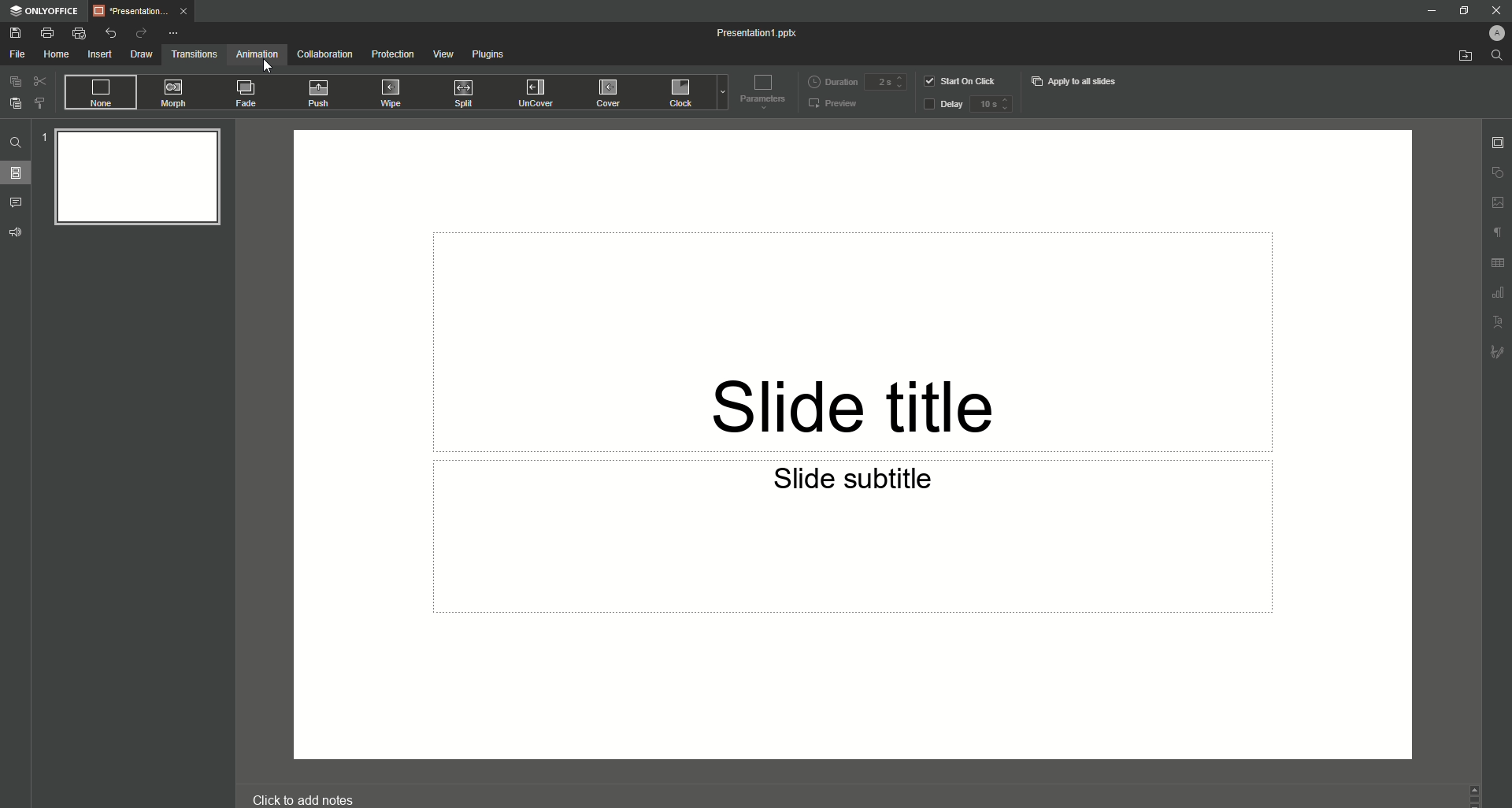  What do you see at coordinates (96, 93) in the screenshot?
I see `None` at bounding box center [96, 93].